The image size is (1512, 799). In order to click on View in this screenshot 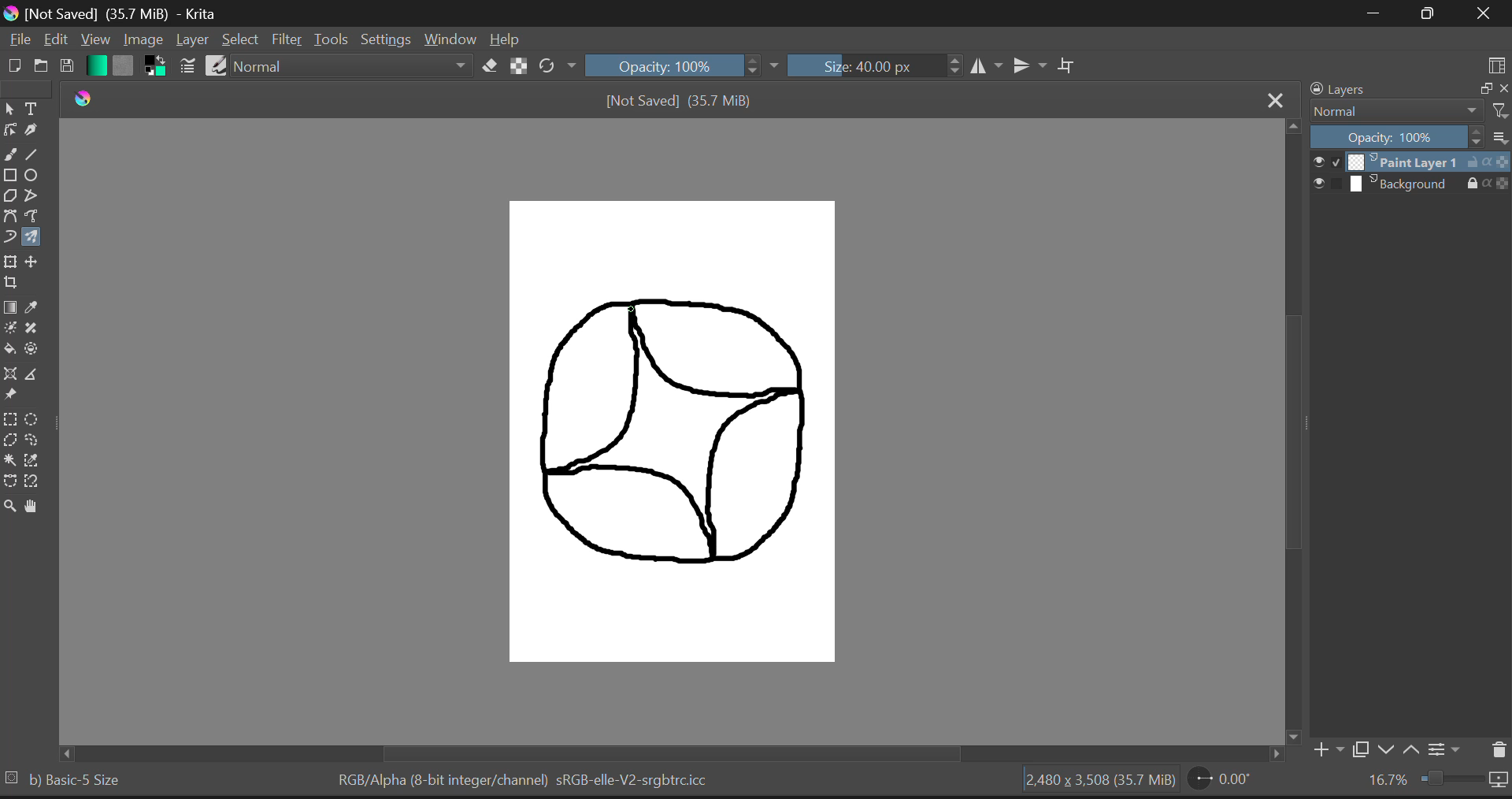, I will do `click(94, 39)`.